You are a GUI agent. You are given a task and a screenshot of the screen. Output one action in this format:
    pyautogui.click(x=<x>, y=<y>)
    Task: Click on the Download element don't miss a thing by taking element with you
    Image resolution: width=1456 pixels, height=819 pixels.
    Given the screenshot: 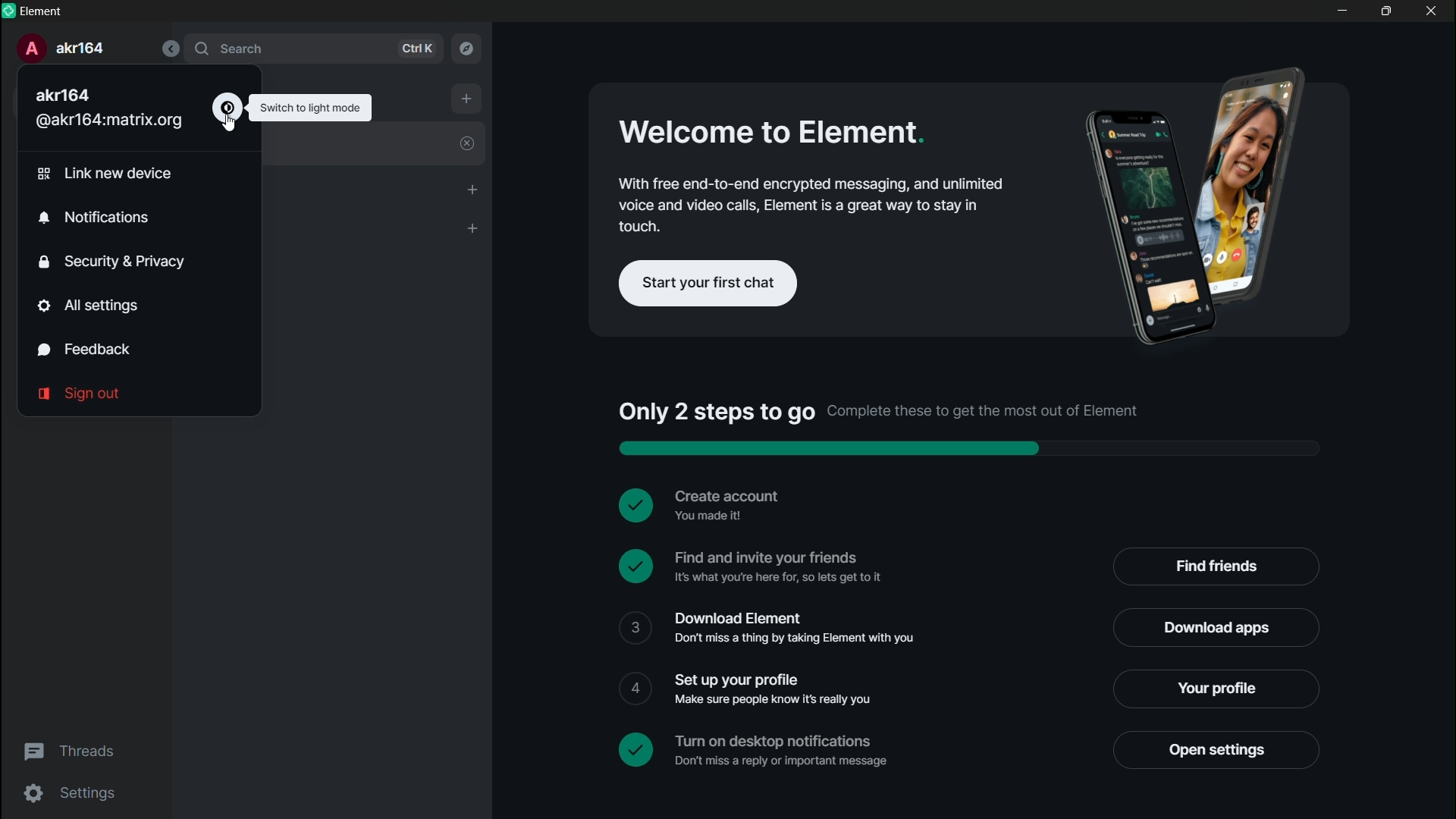 What is the action you would take?
    pyautogui.click(x=794, y=627)
    